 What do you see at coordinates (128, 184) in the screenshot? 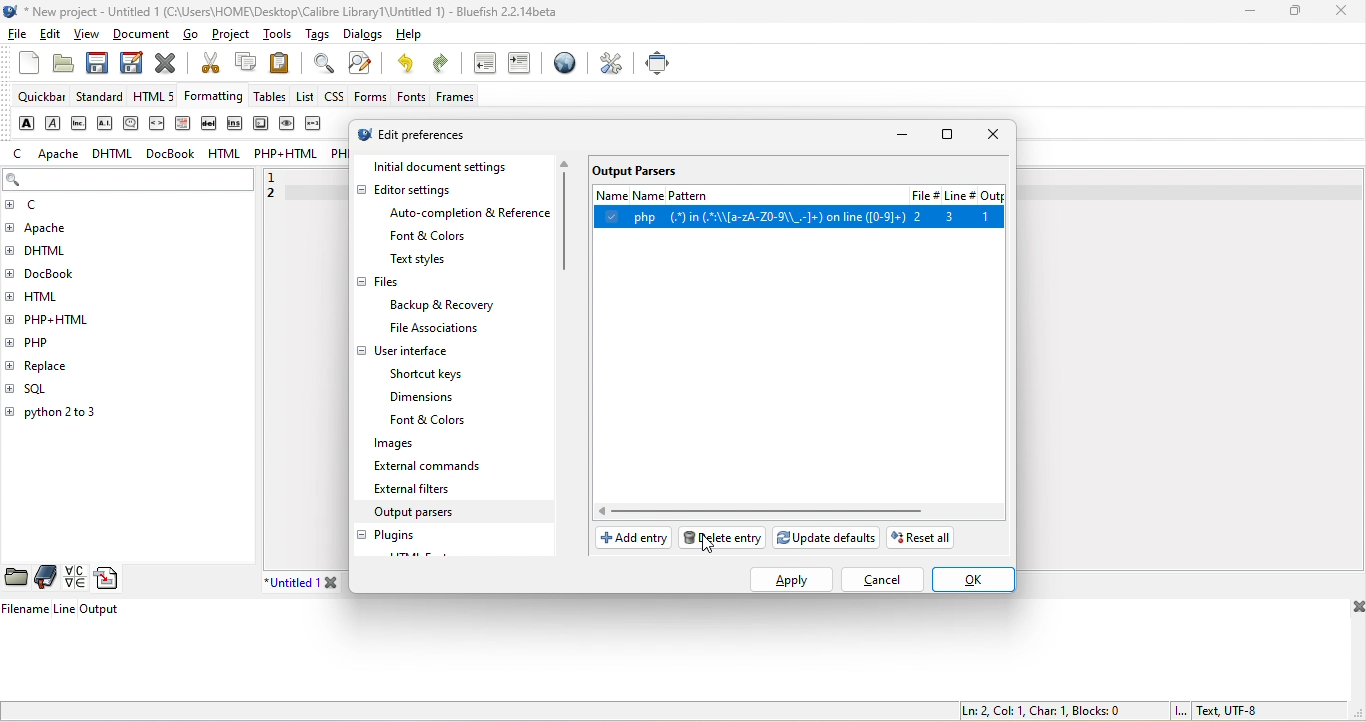
I see `search bar` at bounding box center [128, 184].